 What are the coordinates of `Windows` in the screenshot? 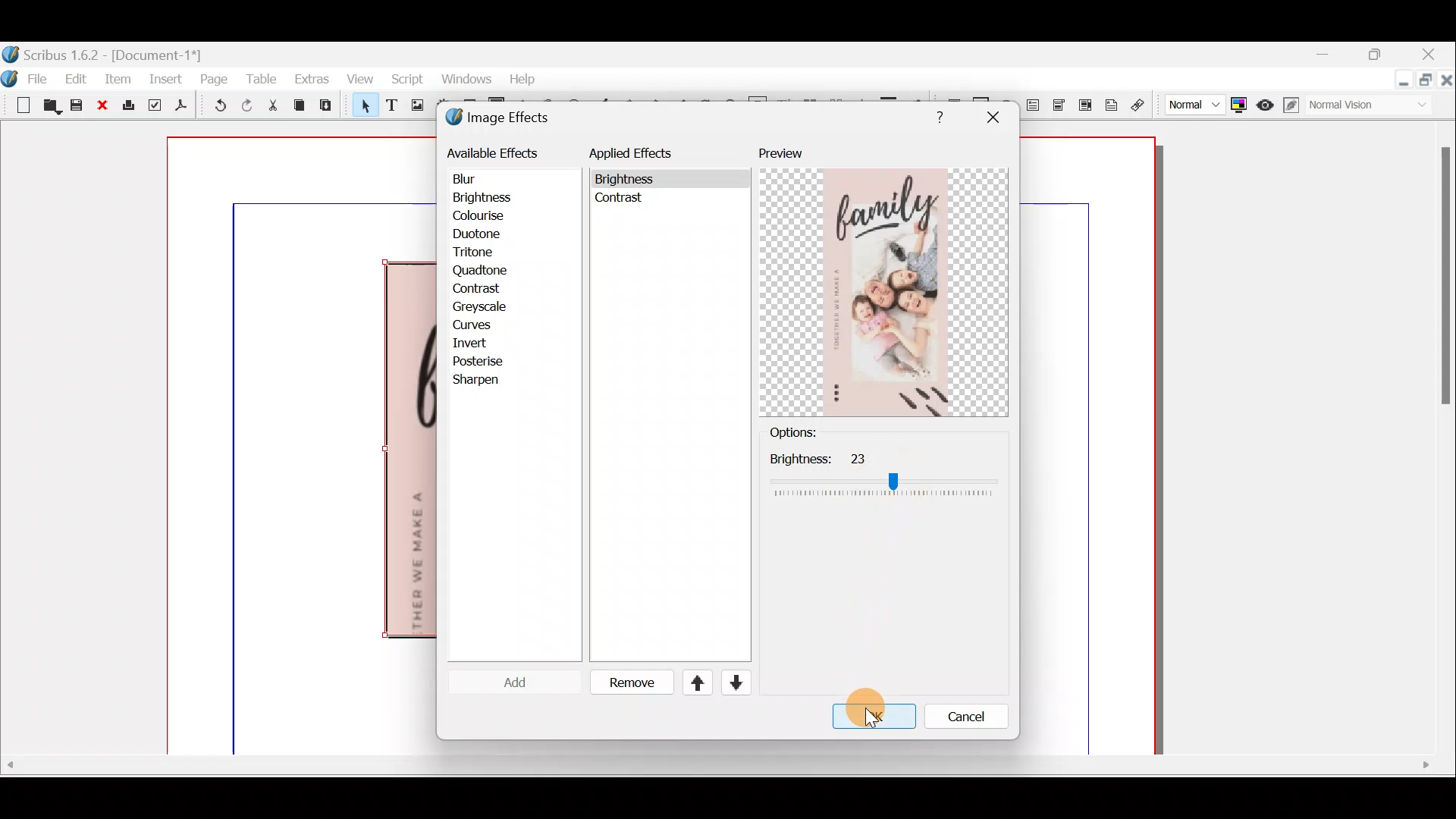 It's located at (462, 81).